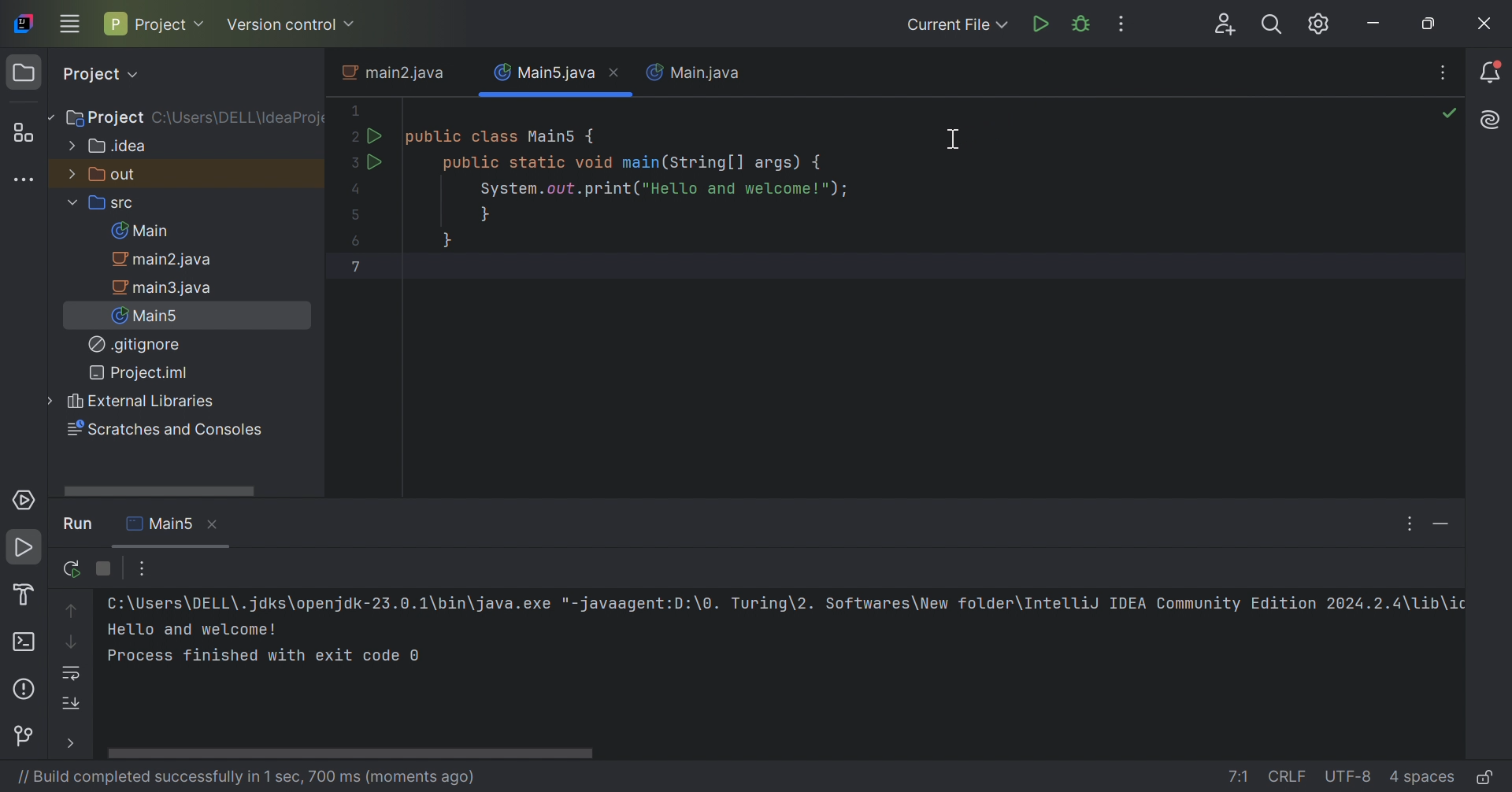 The image size is (1512, 792). I want to click on out, so click(108, 176).